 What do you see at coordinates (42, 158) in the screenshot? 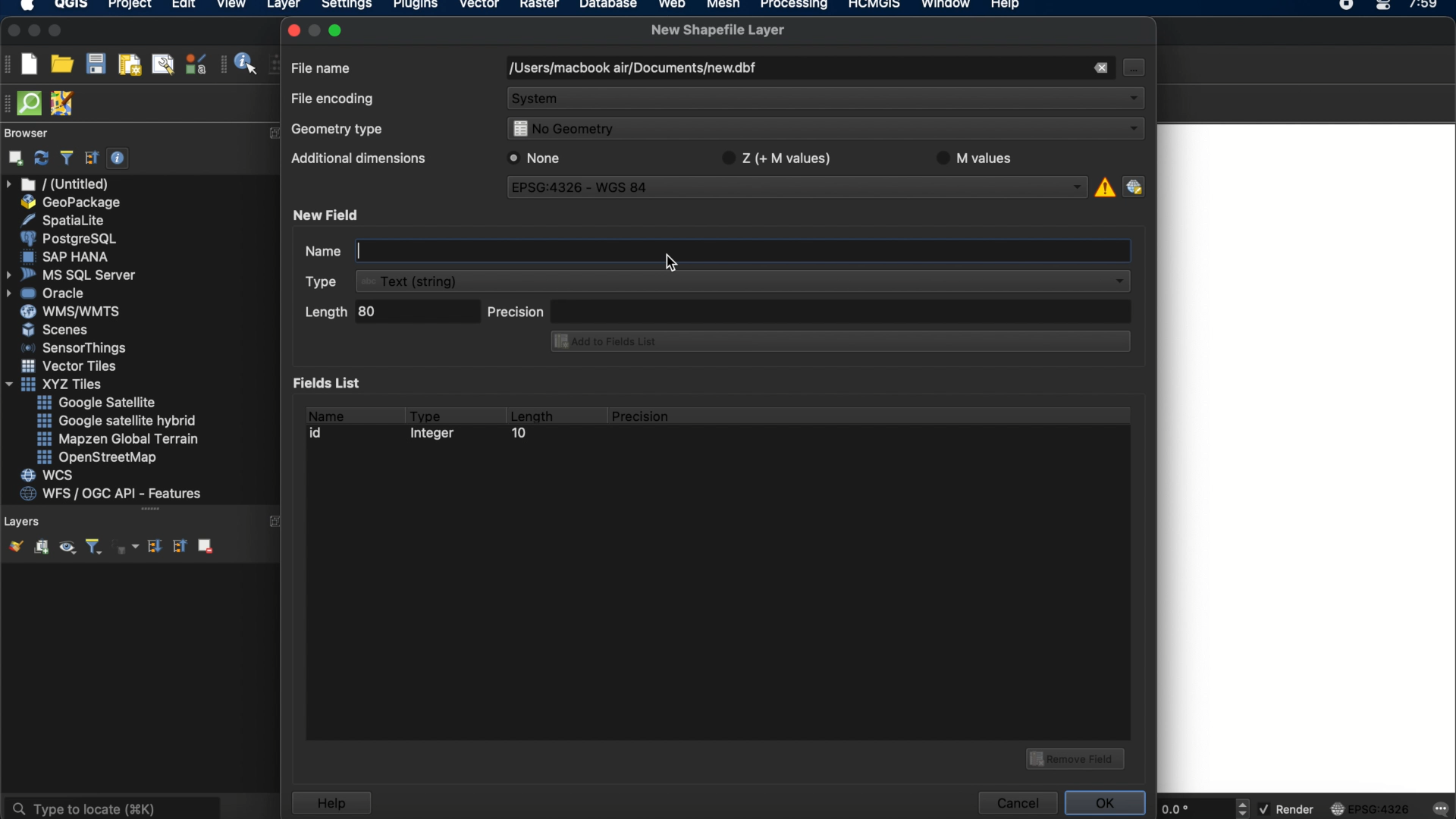
I see `refresh` at bounding box center [42, 158].